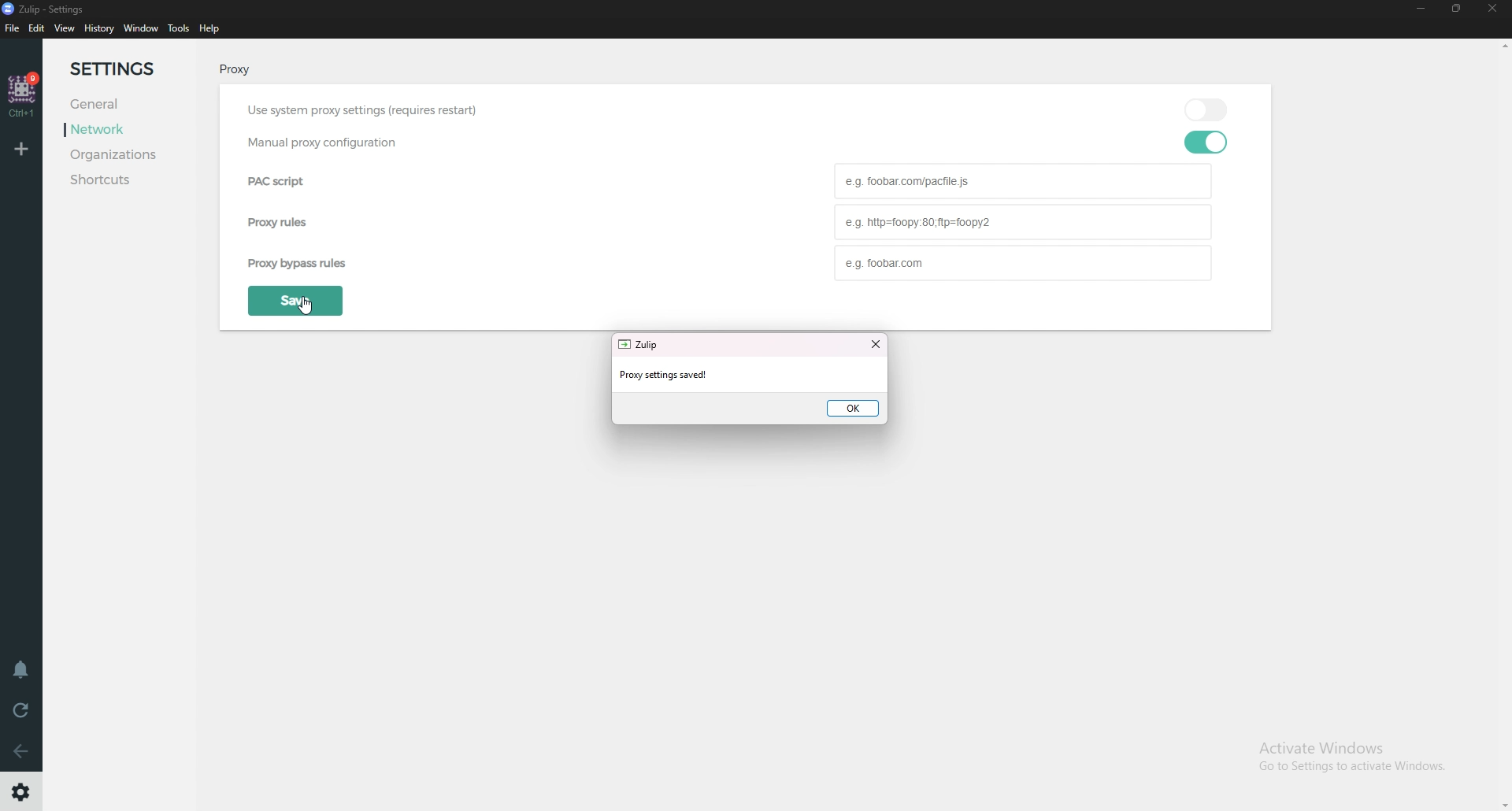 This screenshot has width=1512, height=811. Describe the element at coordinates (876, 345) in the screenshot. I see `close` at that location.